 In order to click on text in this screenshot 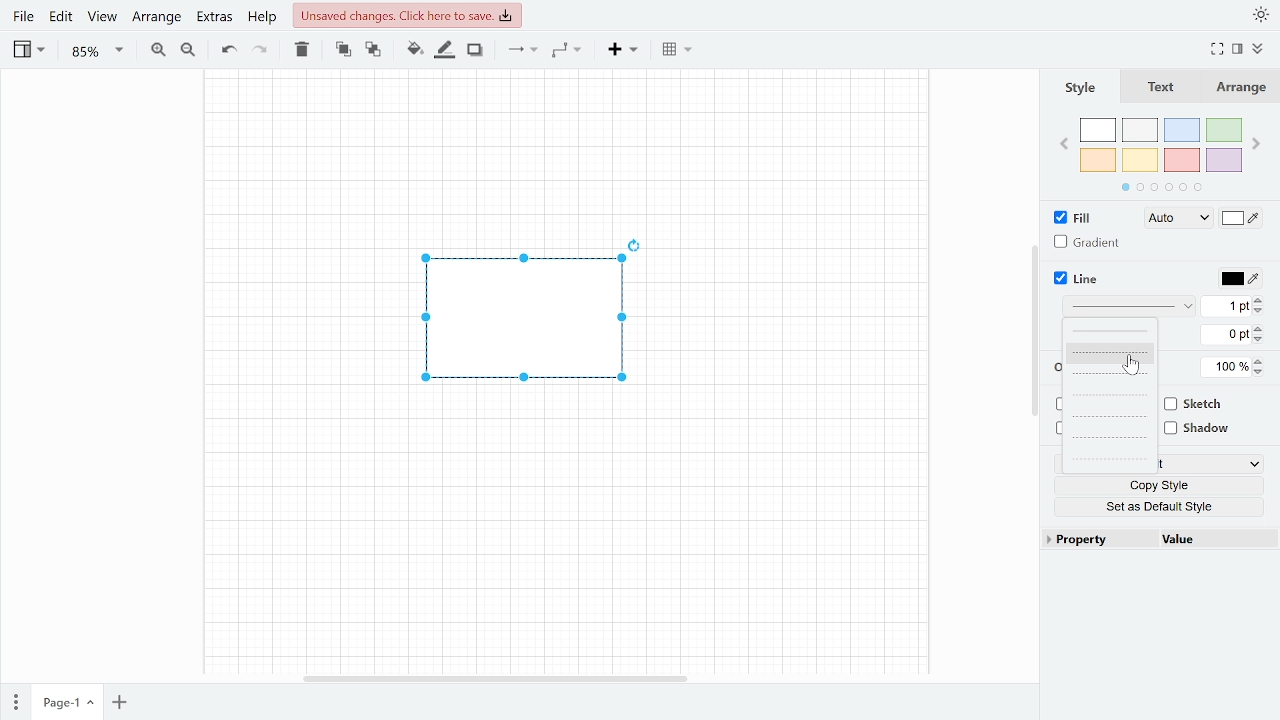, I will do `click(1162, 87)`.